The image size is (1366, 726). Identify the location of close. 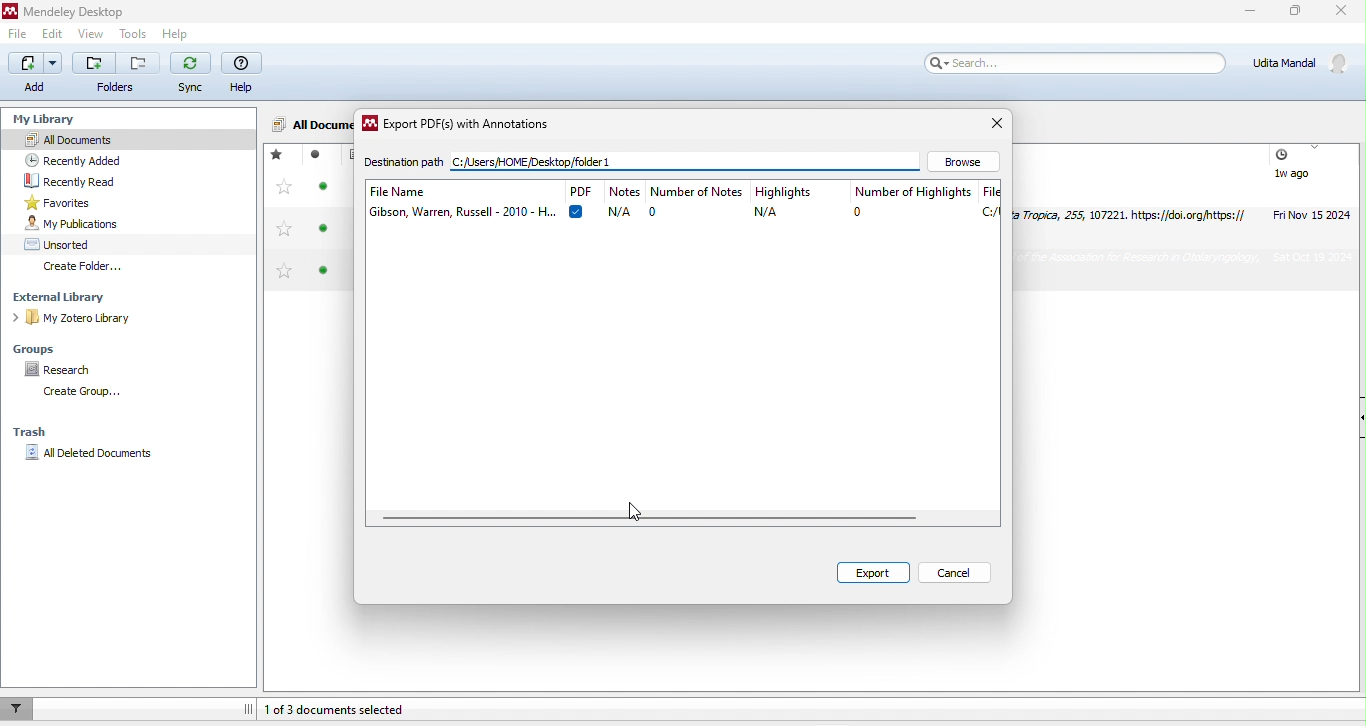
(999, 124).